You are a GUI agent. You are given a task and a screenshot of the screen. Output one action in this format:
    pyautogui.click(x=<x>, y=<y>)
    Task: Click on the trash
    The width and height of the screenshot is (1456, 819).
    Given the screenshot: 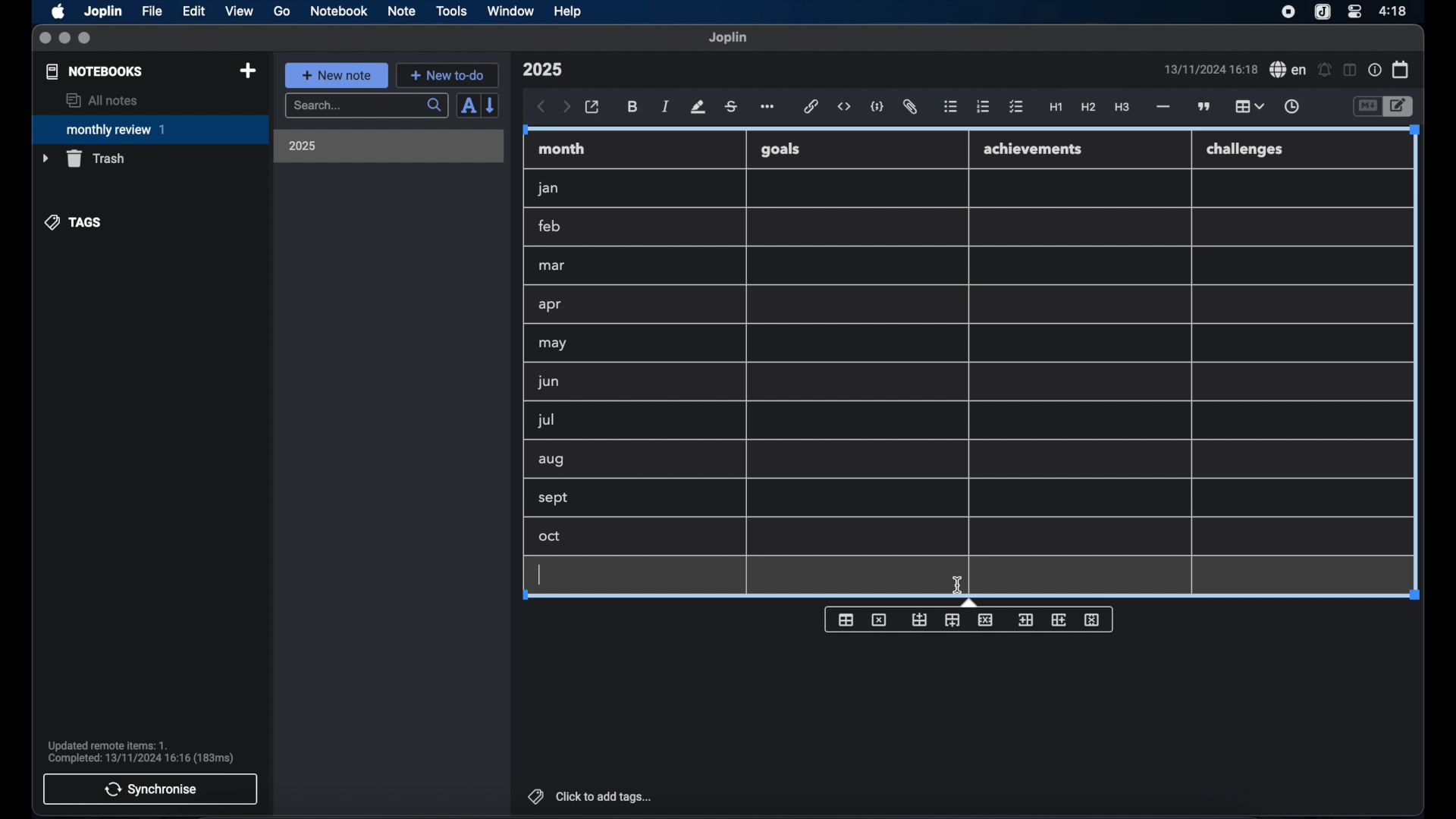 What is the action you would take?
    pyautogui.click(x=83, y=158)
    